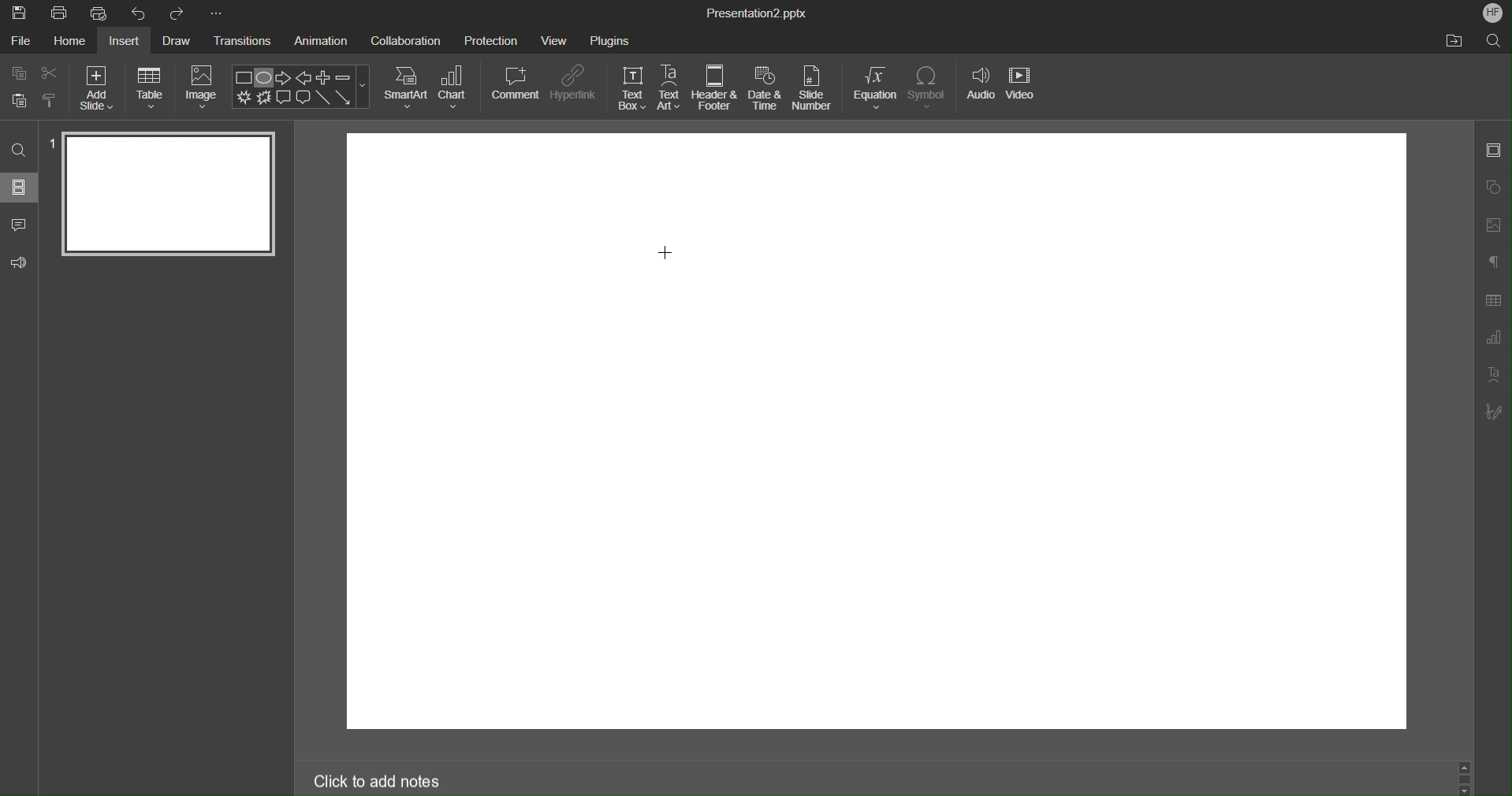 The width and height of the screenshot is (1512, 796). What do you see at coordinates (96, 87) in the screenshot?
I see `Add Size` at bounding box center [96, 87].